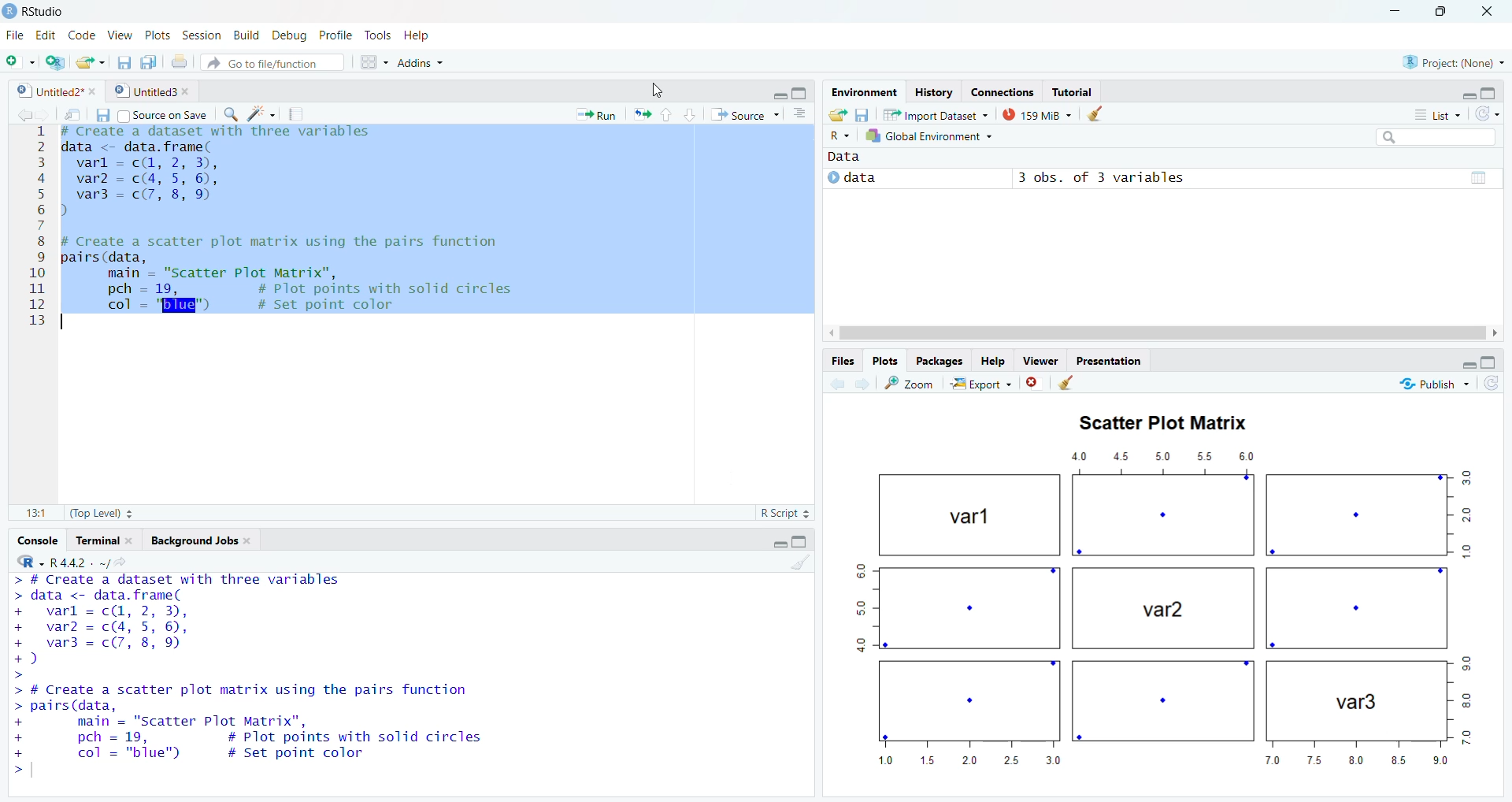 This screenshot has width=1512, height=802. Describe the element at coordinates (837, 113) in the screenshot. I see `Load workspace` at that location.